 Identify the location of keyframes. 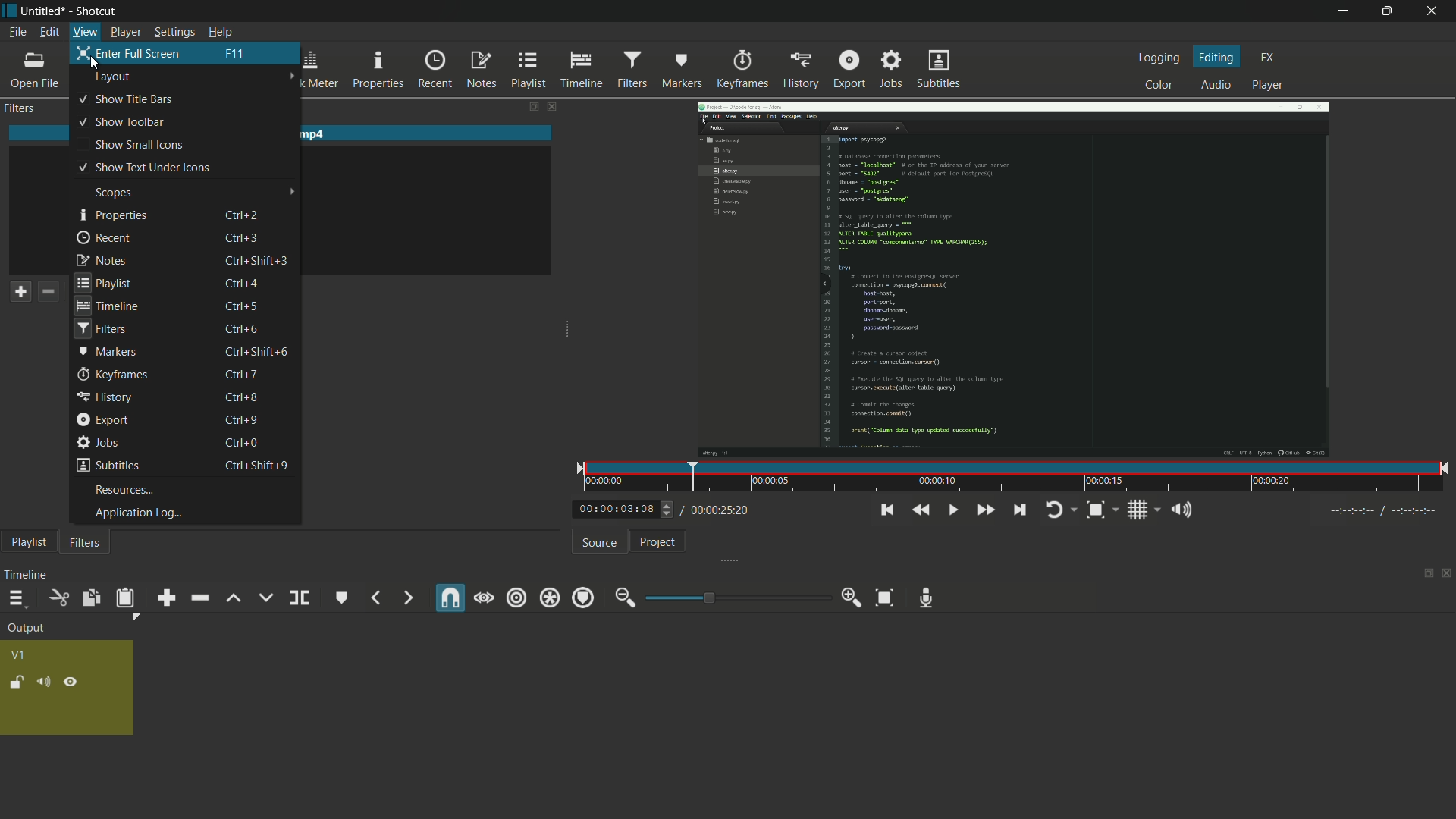
(742, 70).